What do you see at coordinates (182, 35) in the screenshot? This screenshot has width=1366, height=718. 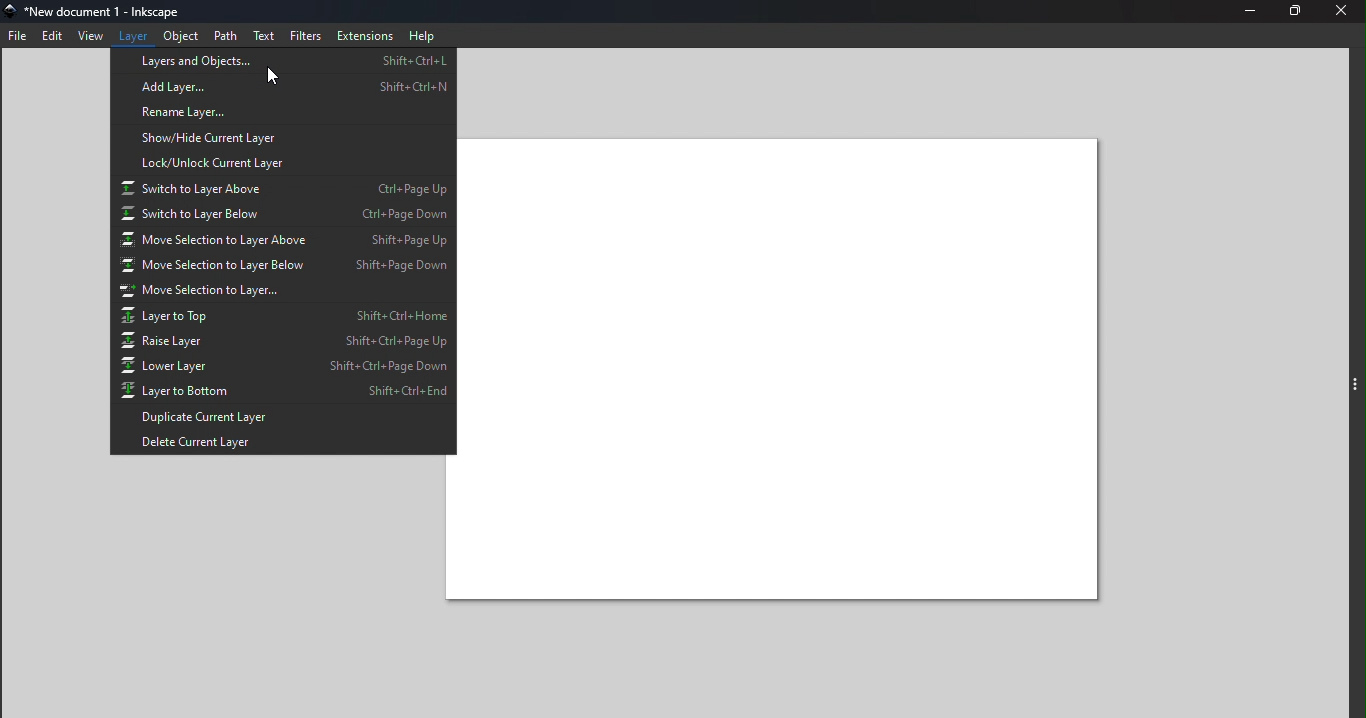 I see `Object` at bounding box center [182, 35].